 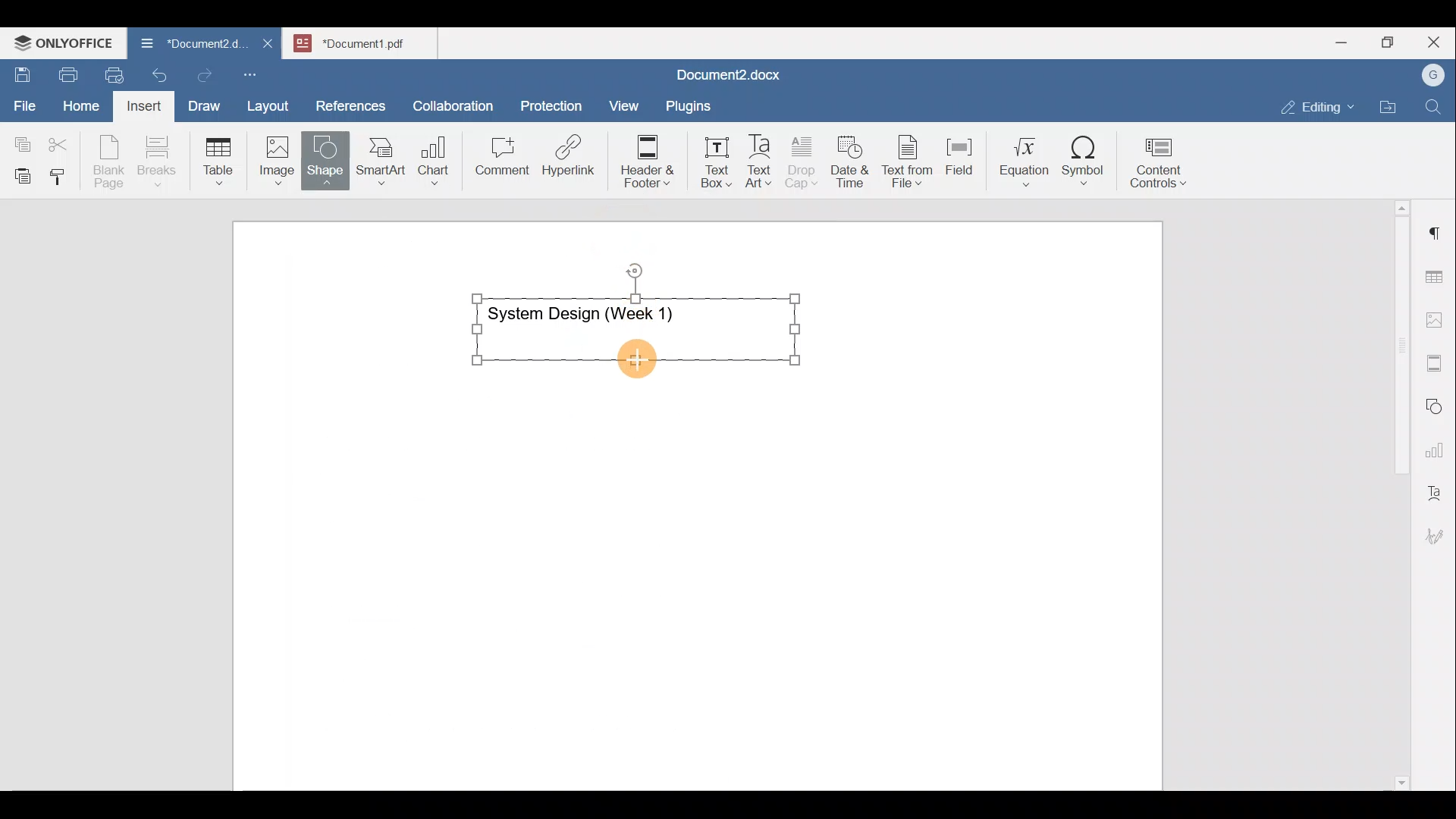 What do you see at coordinates (64, 42) in the screenshot?
I see `ONLYOFFICE` at bounding box center [64, 42].